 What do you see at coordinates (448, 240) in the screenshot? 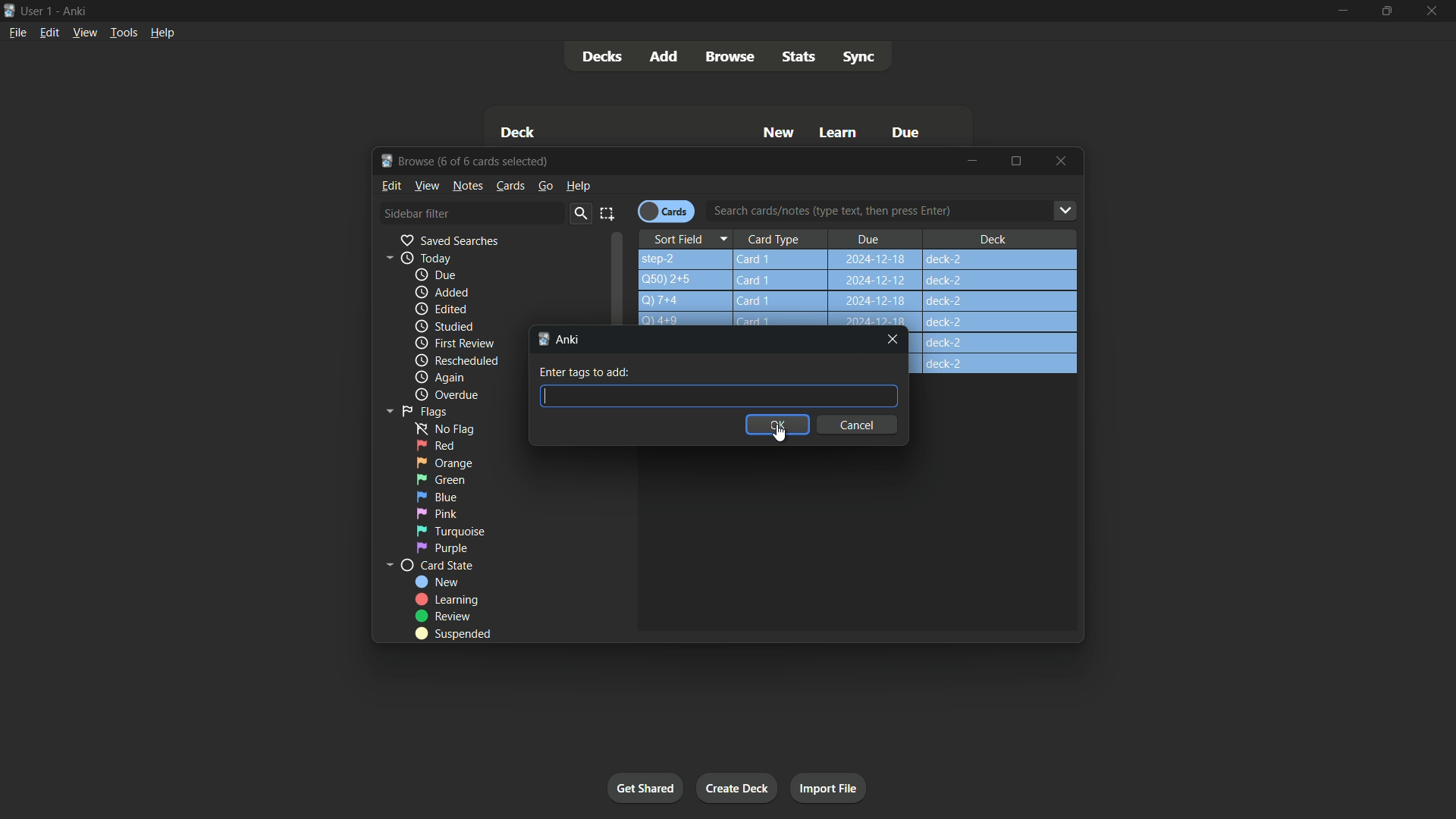
I see `Saved searches` at bounding box center [448, 240].